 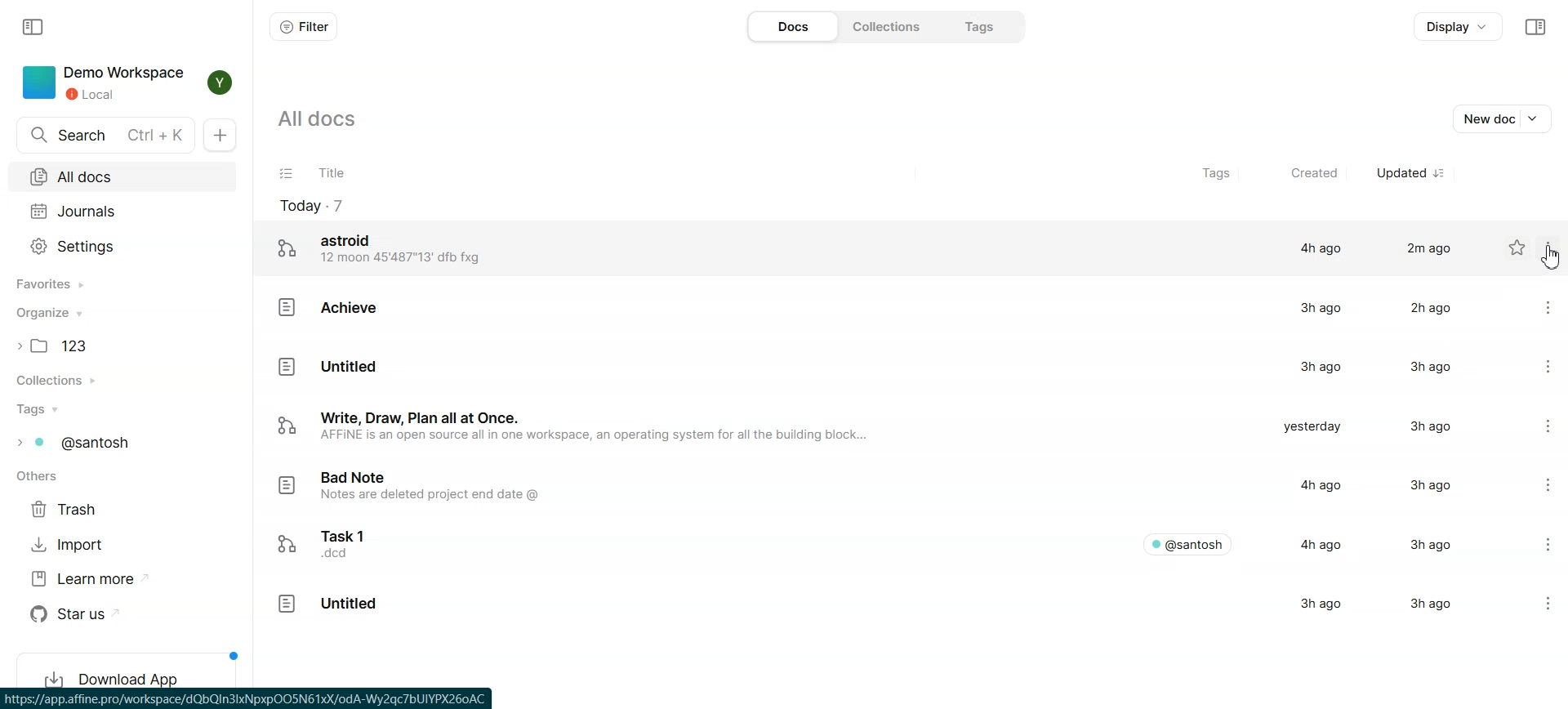 I want to click on Settings, so click(x=1534, y=305).